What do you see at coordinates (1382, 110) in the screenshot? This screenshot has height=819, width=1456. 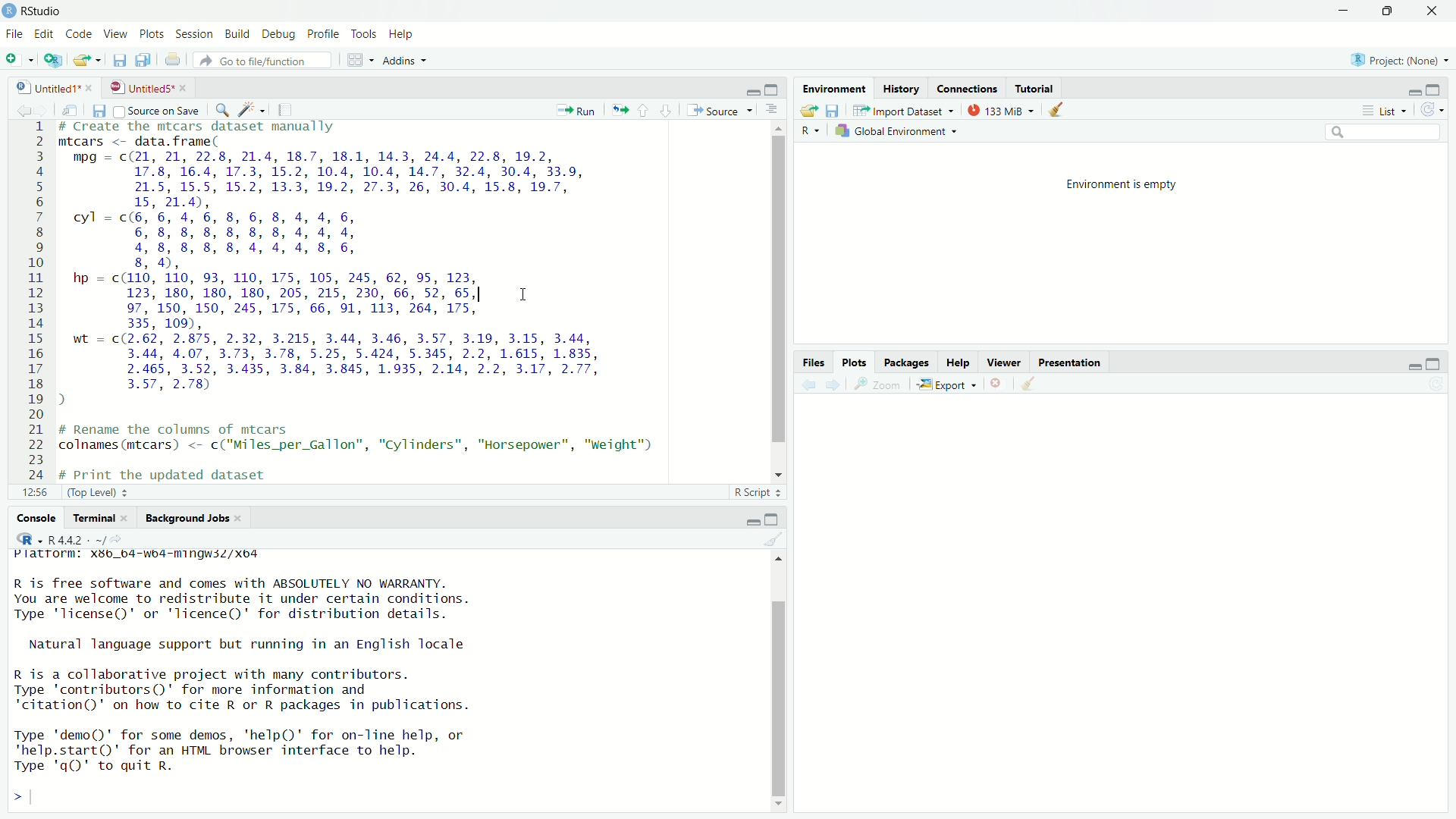 I see `List =` at bounding box center [1382, 110].